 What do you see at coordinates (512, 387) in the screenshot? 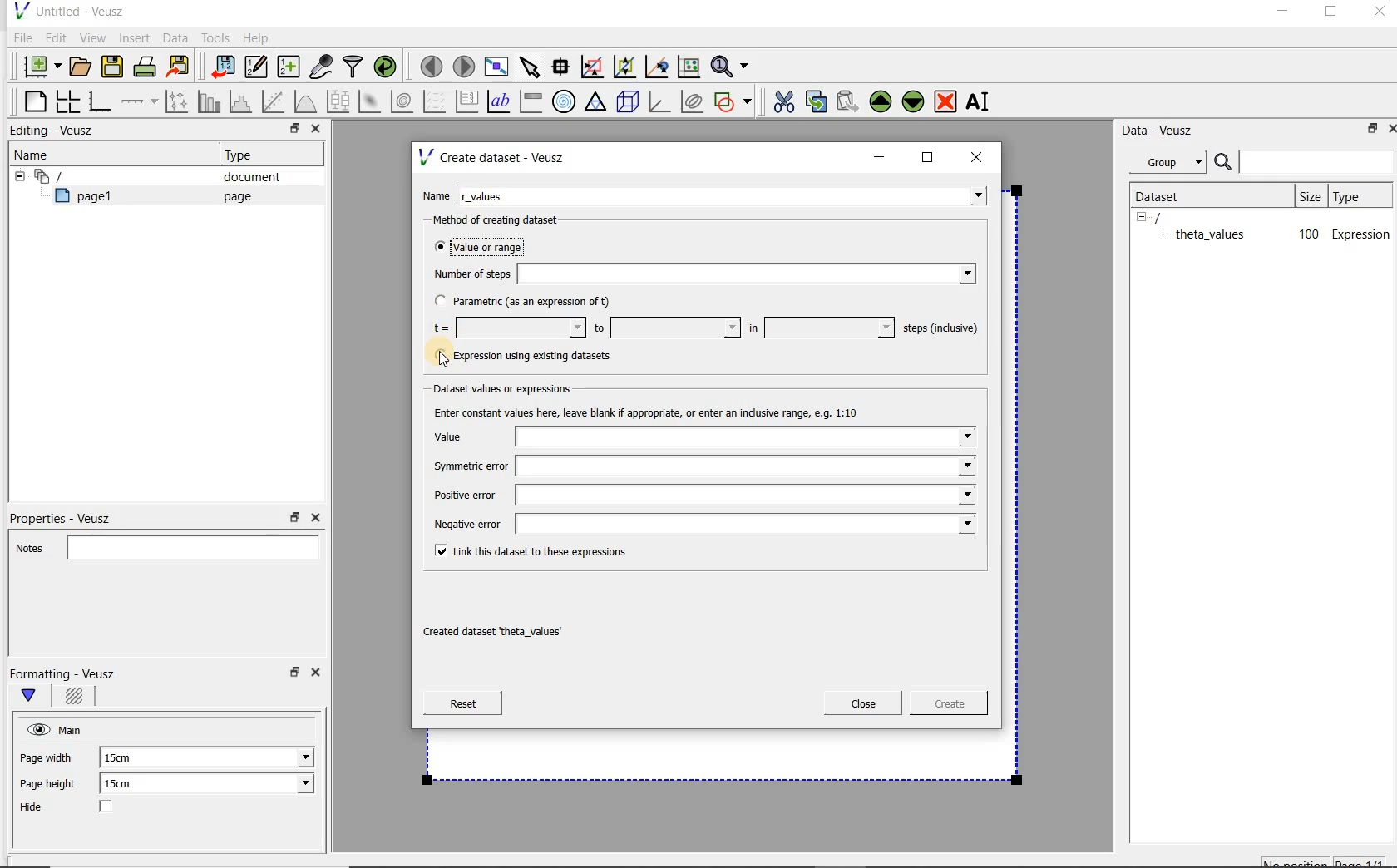
I see `Dataset values or expressions` at bounding box center [512, 387].